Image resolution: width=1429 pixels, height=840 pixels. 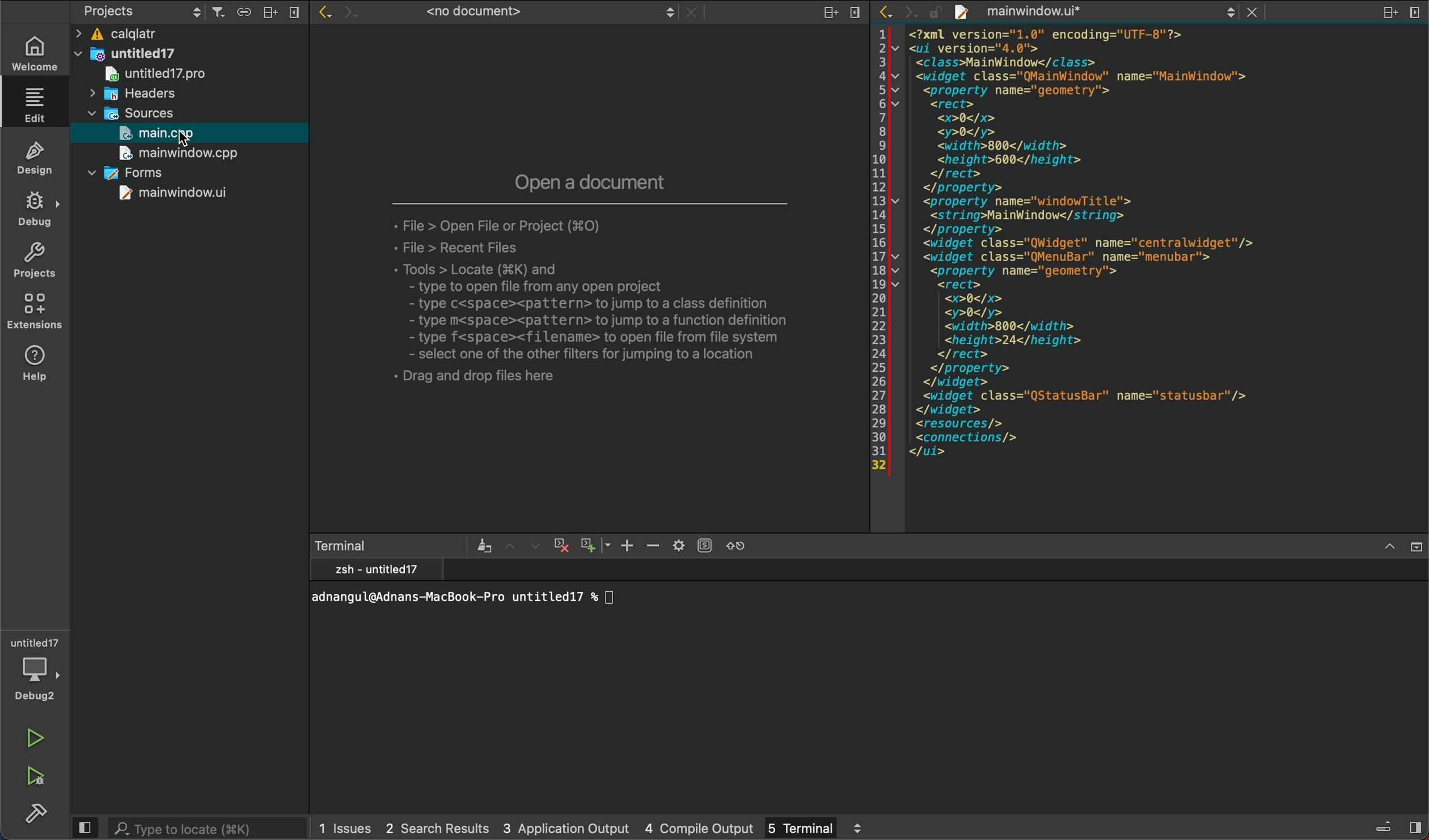 What do you see at coordinates (35, 667) in the screenshot?
I see `debugger` at bounding box center [35, 667].